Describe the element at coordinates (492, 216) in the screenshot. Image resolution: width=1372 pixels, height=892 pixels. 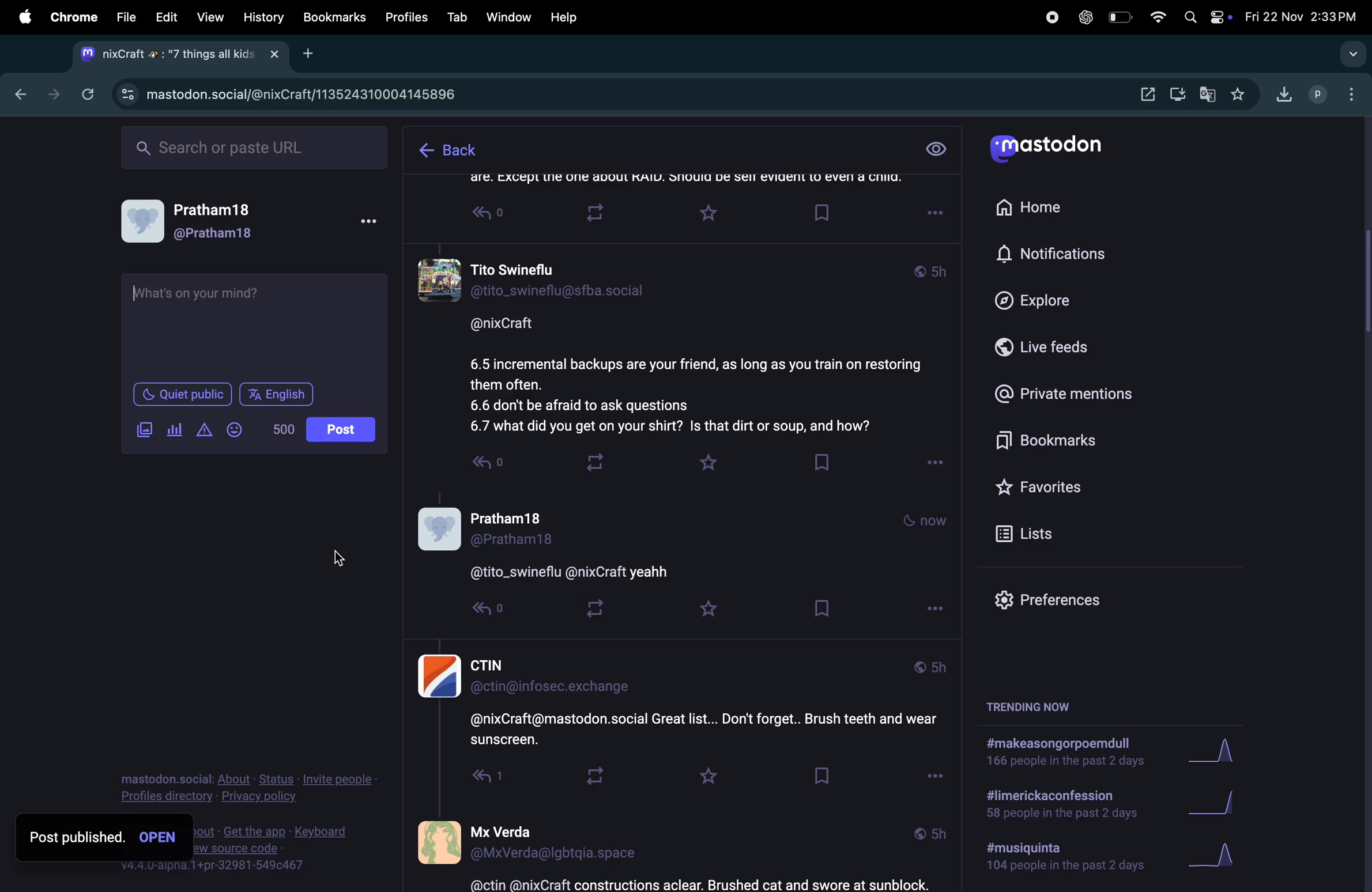
I see `Read` at that location.